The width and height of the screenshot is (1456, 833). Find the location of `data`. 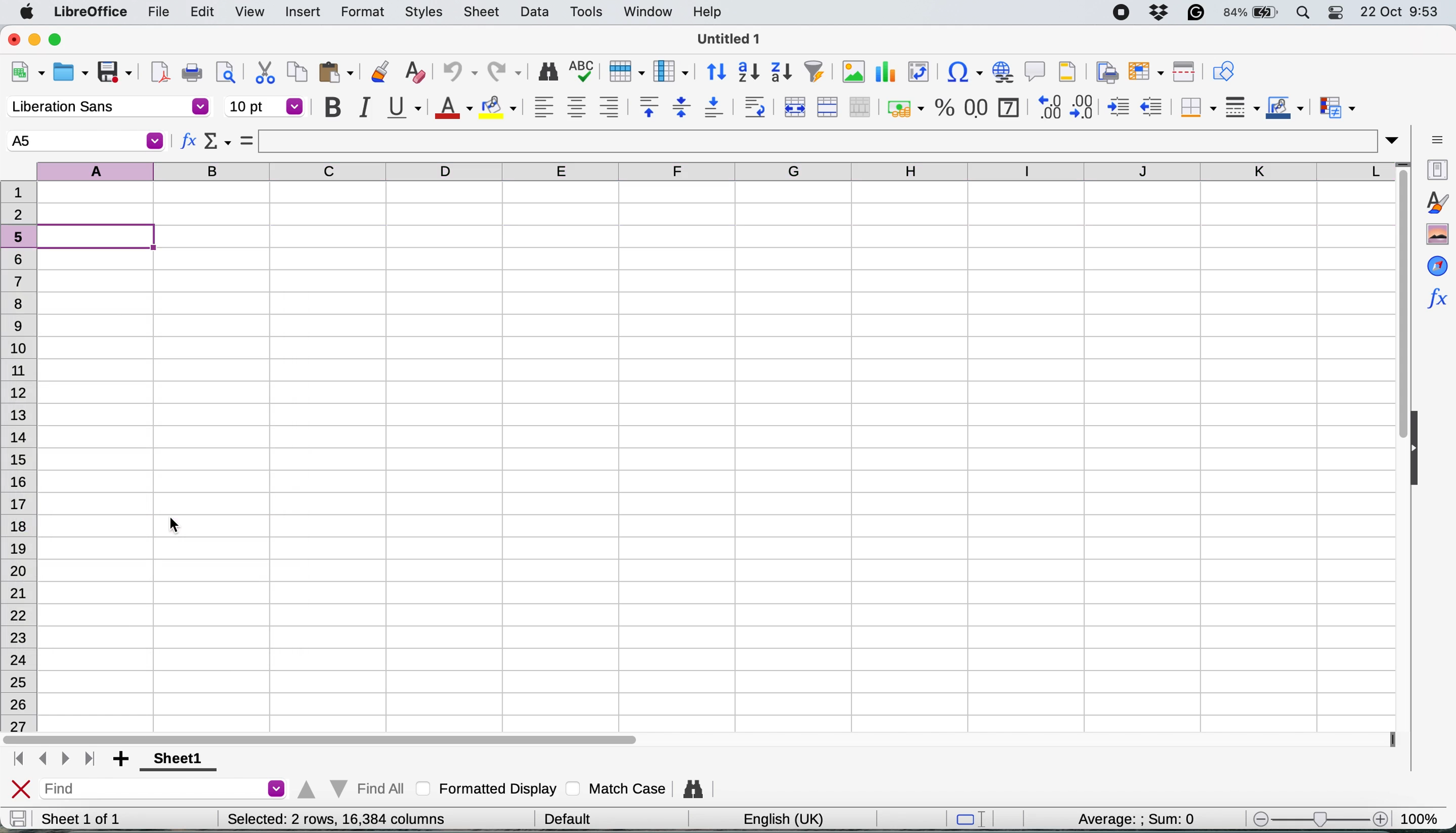

data is located at coordinates (537, 11).